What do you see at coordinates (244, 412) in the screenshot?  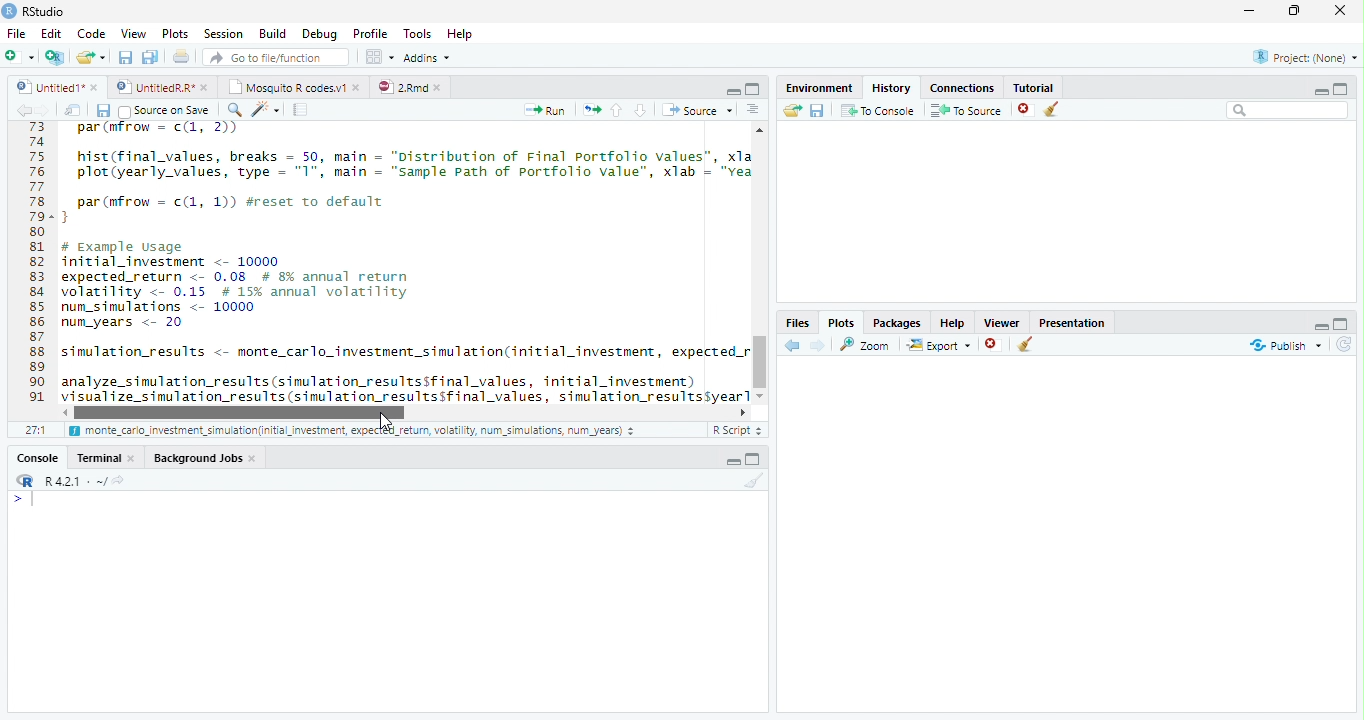 I see `Scroll bar` at bounding box center [244, 412].